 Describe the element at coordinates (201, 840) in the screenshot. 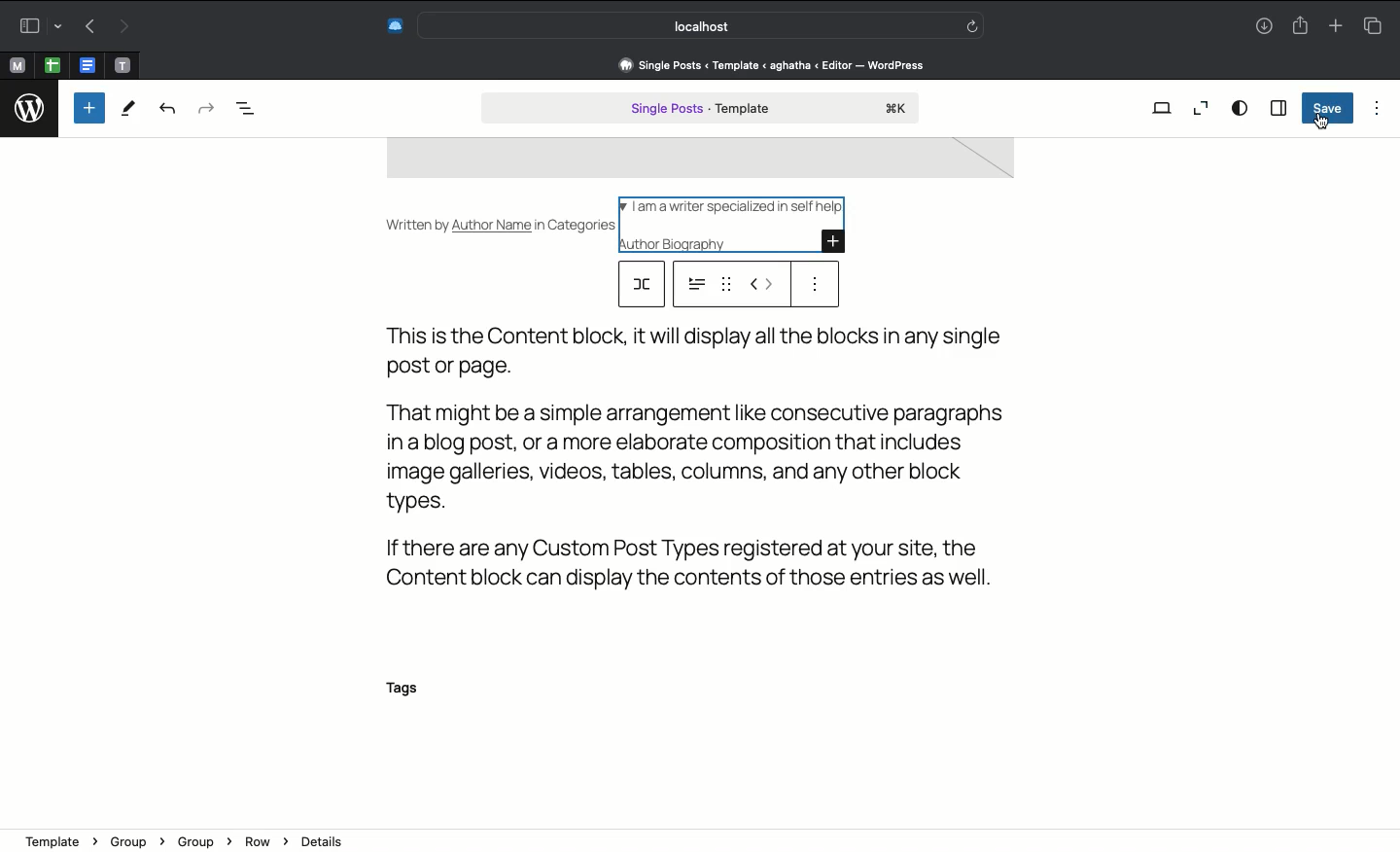

I see `Group` at that location.